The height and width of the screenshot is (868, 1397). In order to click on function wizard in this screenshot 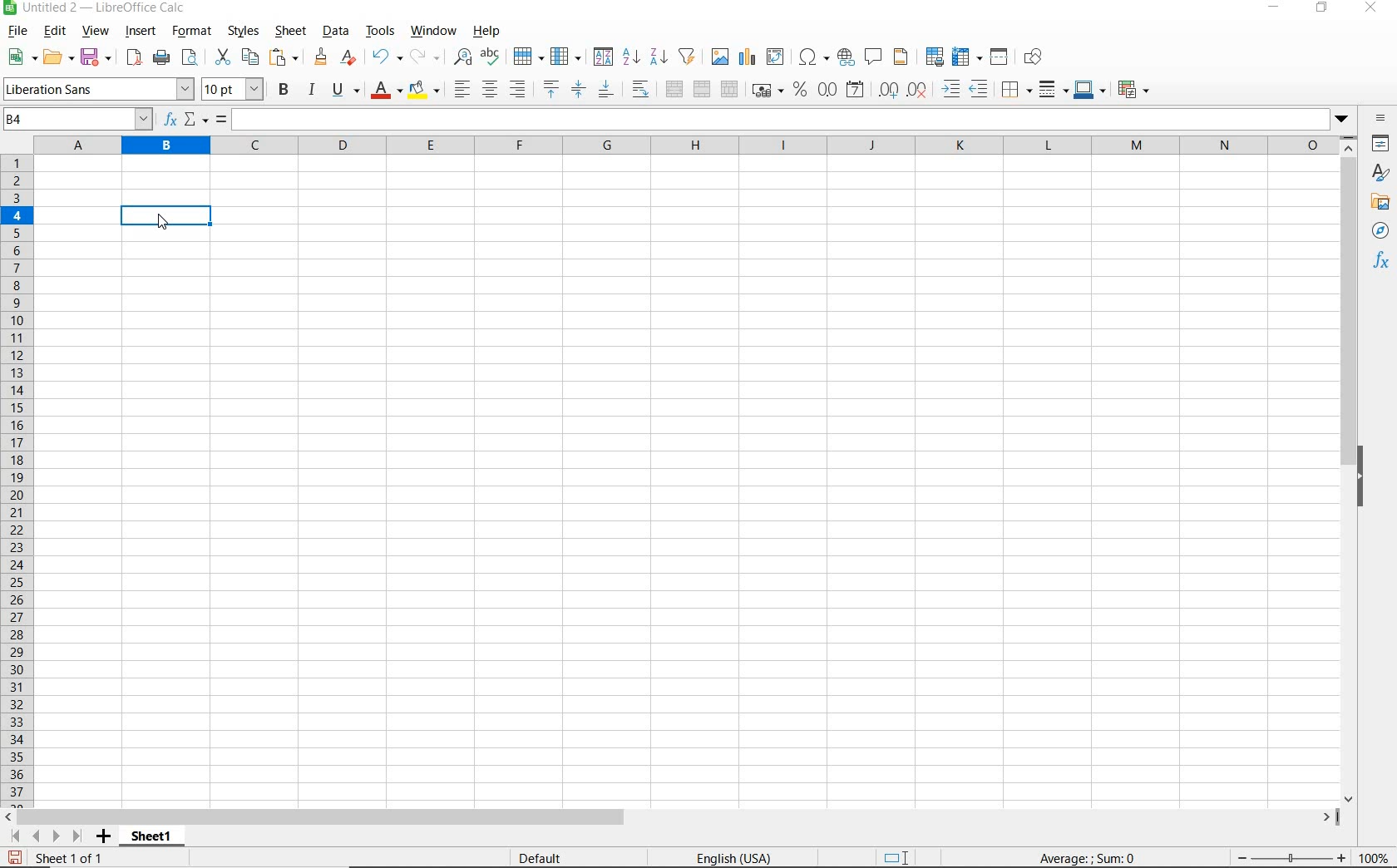, I will do `click(170, 120)`.